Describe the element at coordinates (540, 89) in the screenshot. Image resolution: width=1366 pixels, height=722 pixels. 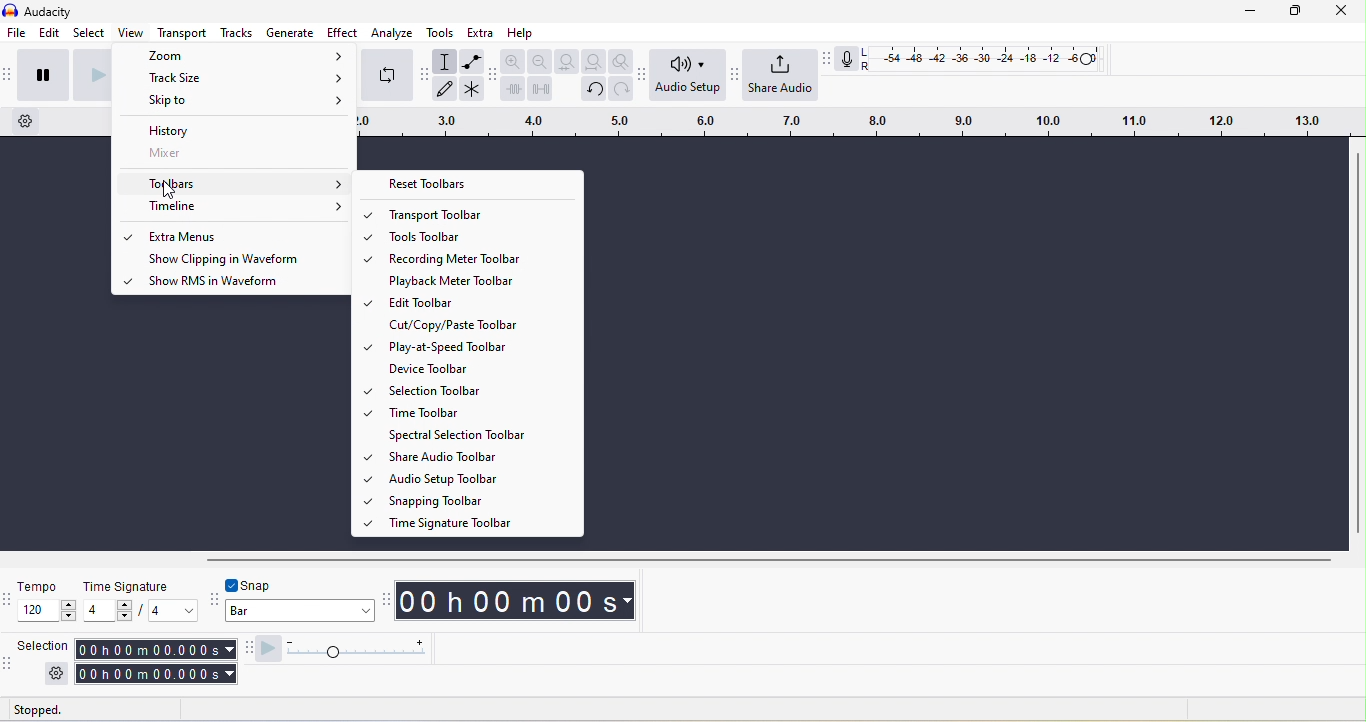
I see `silence audio selection` at that location.